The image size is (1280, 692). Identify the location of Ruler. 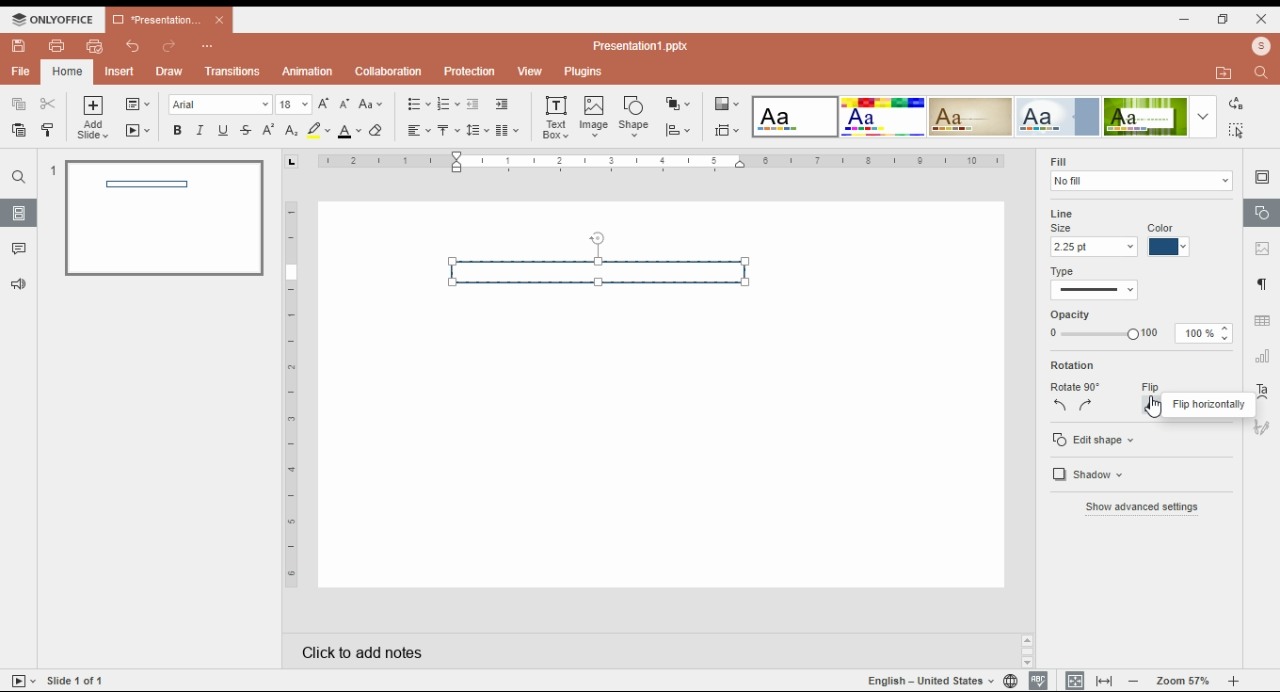
(660, 162).